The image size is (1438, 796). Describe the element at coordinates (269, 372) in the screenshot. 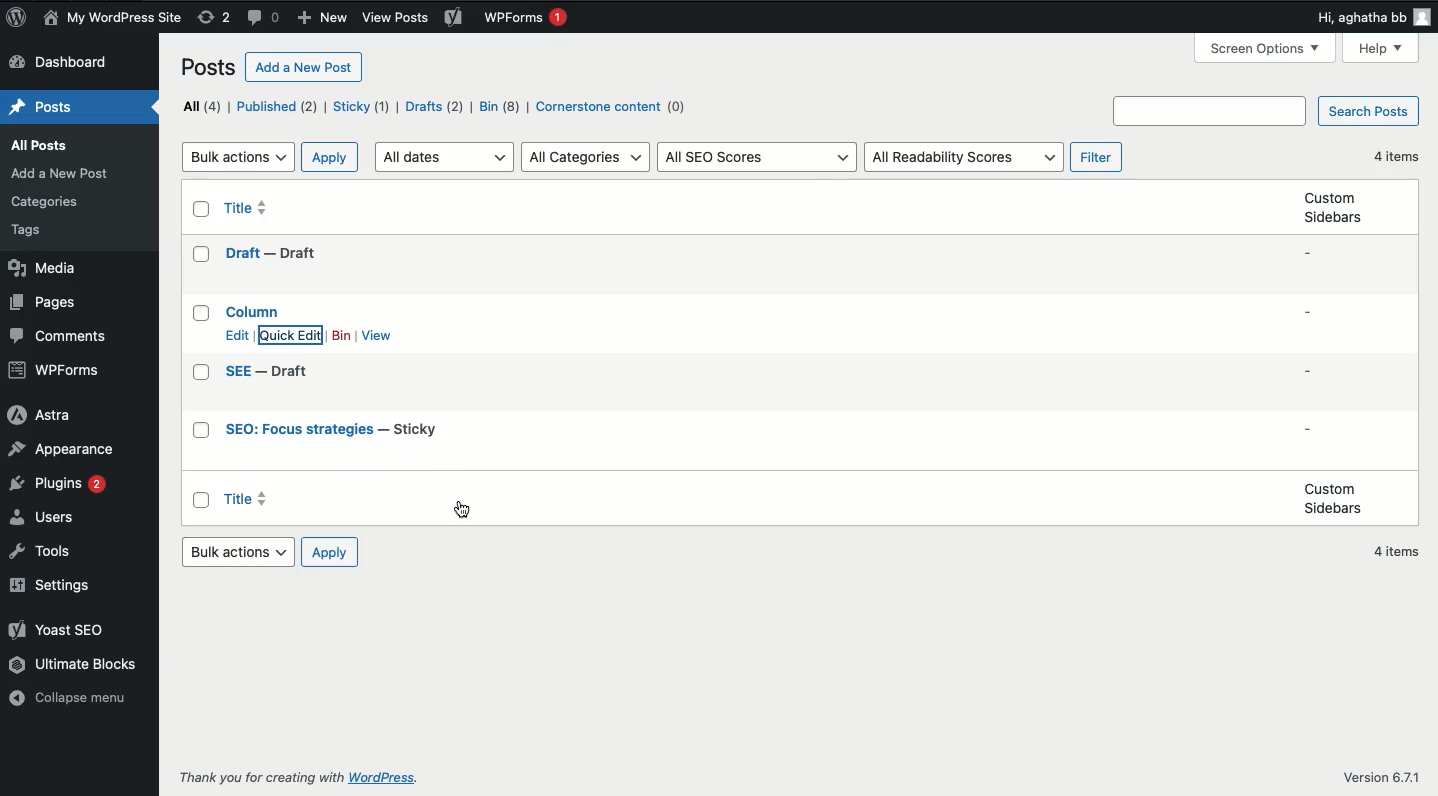

I see `see -- Draft` at that location.